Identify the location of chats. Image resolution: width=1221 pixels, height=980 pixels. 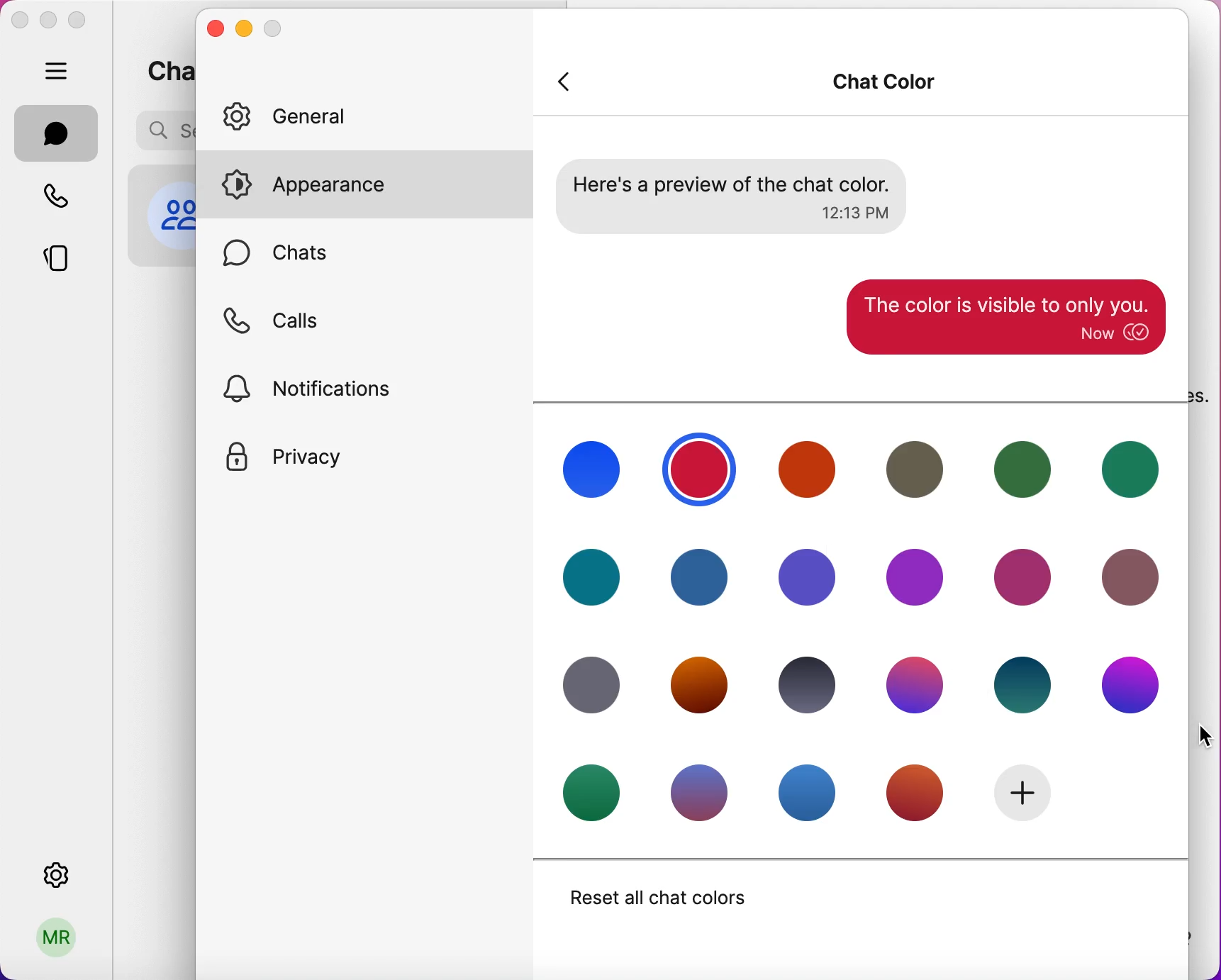
(57, 133).